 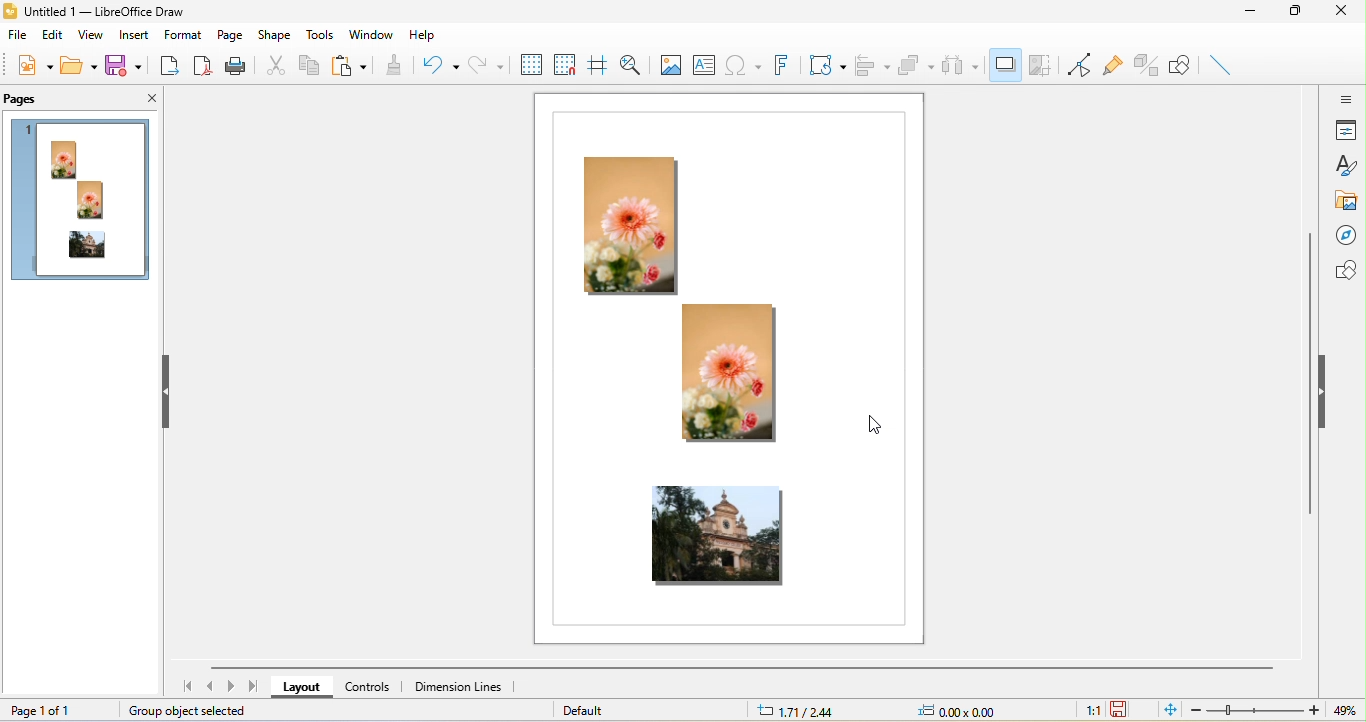 I want to click on snap to grids, so click(x=565, y=63).